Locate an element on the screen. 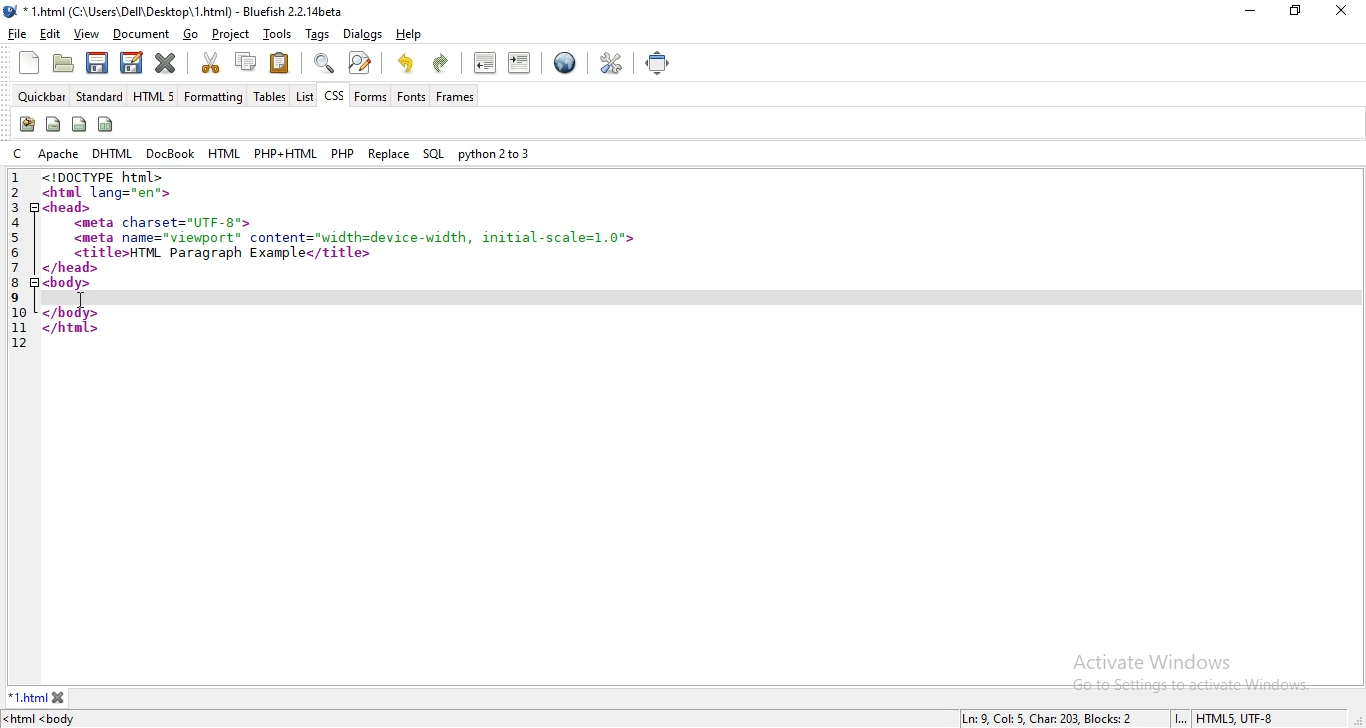  close is located at coordinates (1340, 10).